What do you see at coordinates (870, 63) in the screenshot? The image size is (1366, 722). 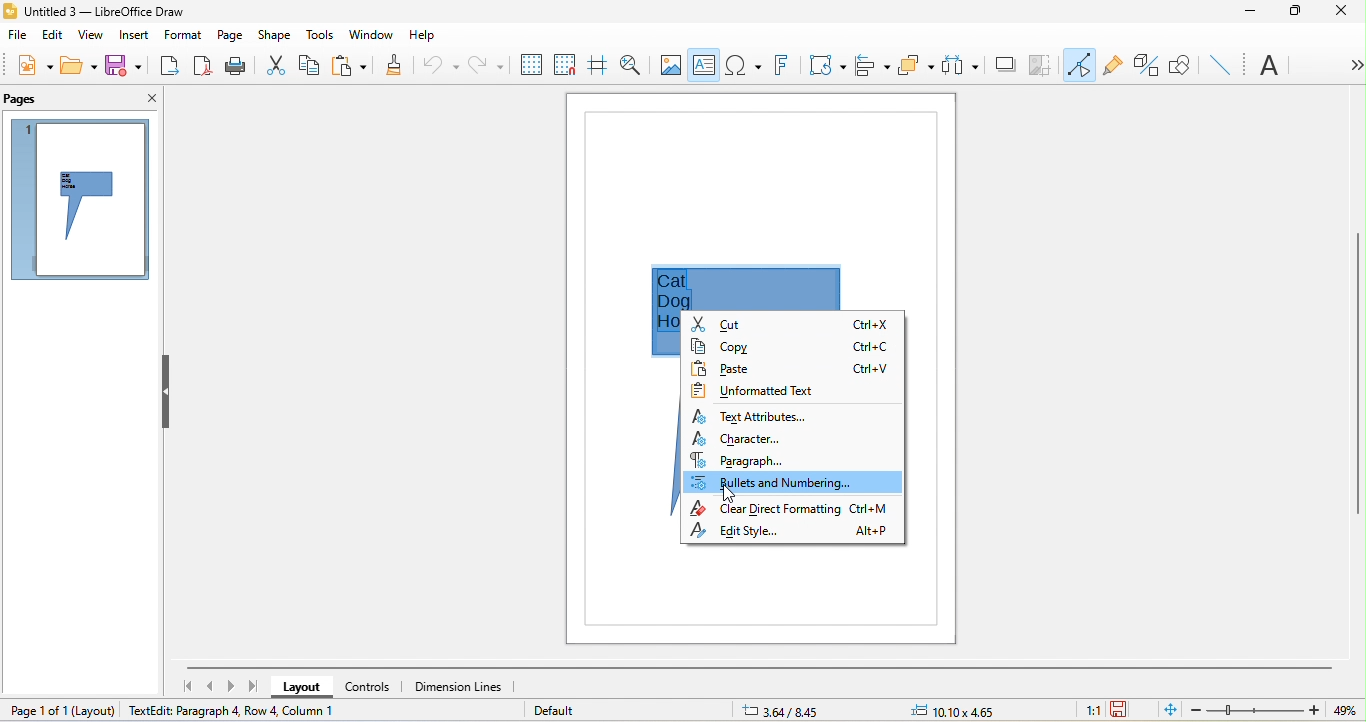 I see `align object` at bounding box center [870, 63].